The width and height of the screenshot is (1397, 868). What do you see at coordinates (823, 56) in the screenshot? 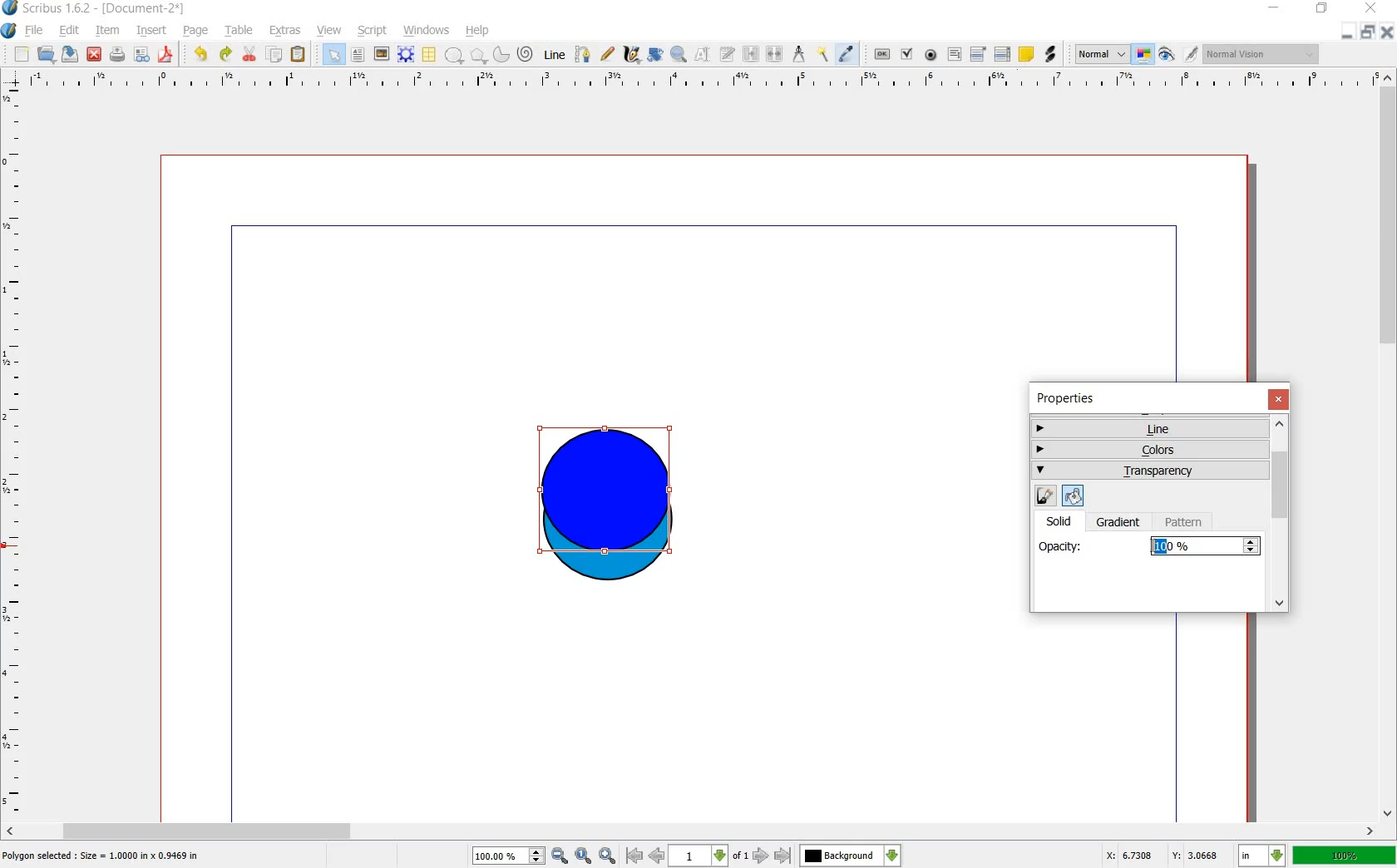
I see `copy item properties` at bounding box center [823, 56].